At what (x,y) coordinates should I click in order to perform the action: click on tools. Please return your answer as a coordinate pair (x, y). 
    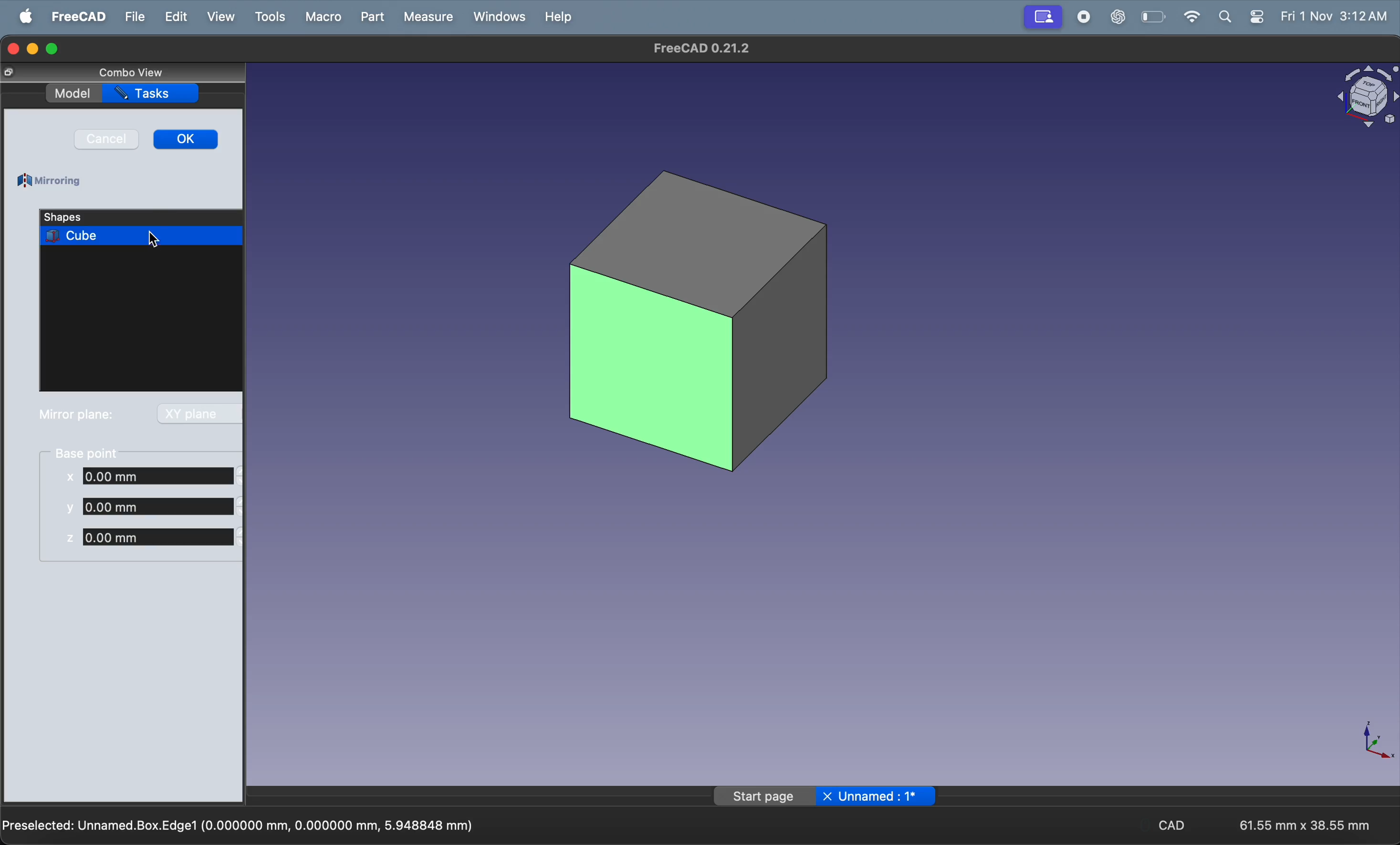
    Looking at the image, I should click on (269, 15).